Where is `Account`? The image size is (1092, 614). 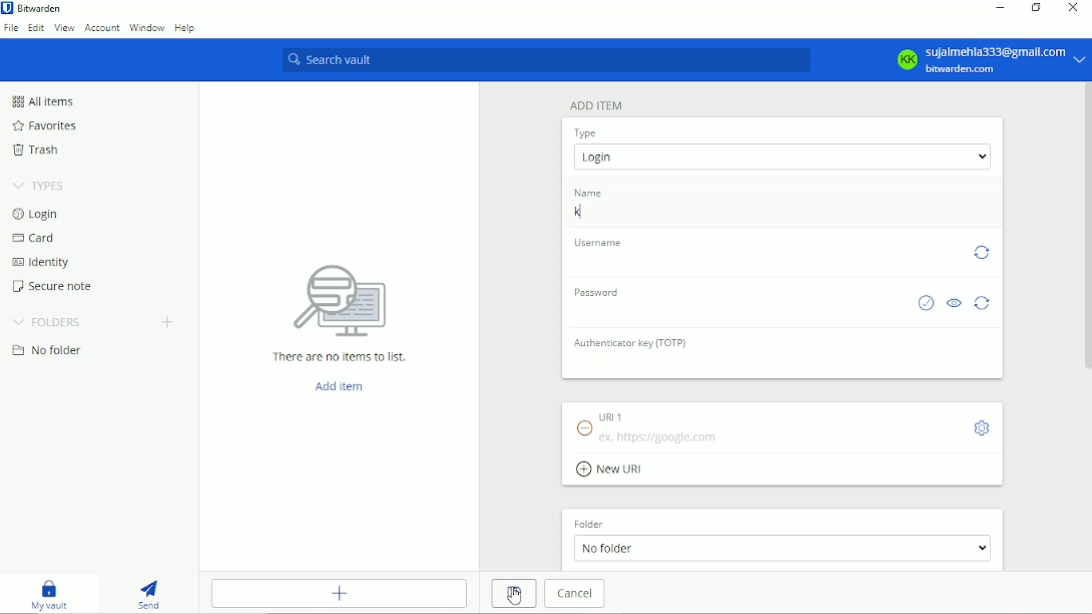
Account is located at coordinates (101, 29).